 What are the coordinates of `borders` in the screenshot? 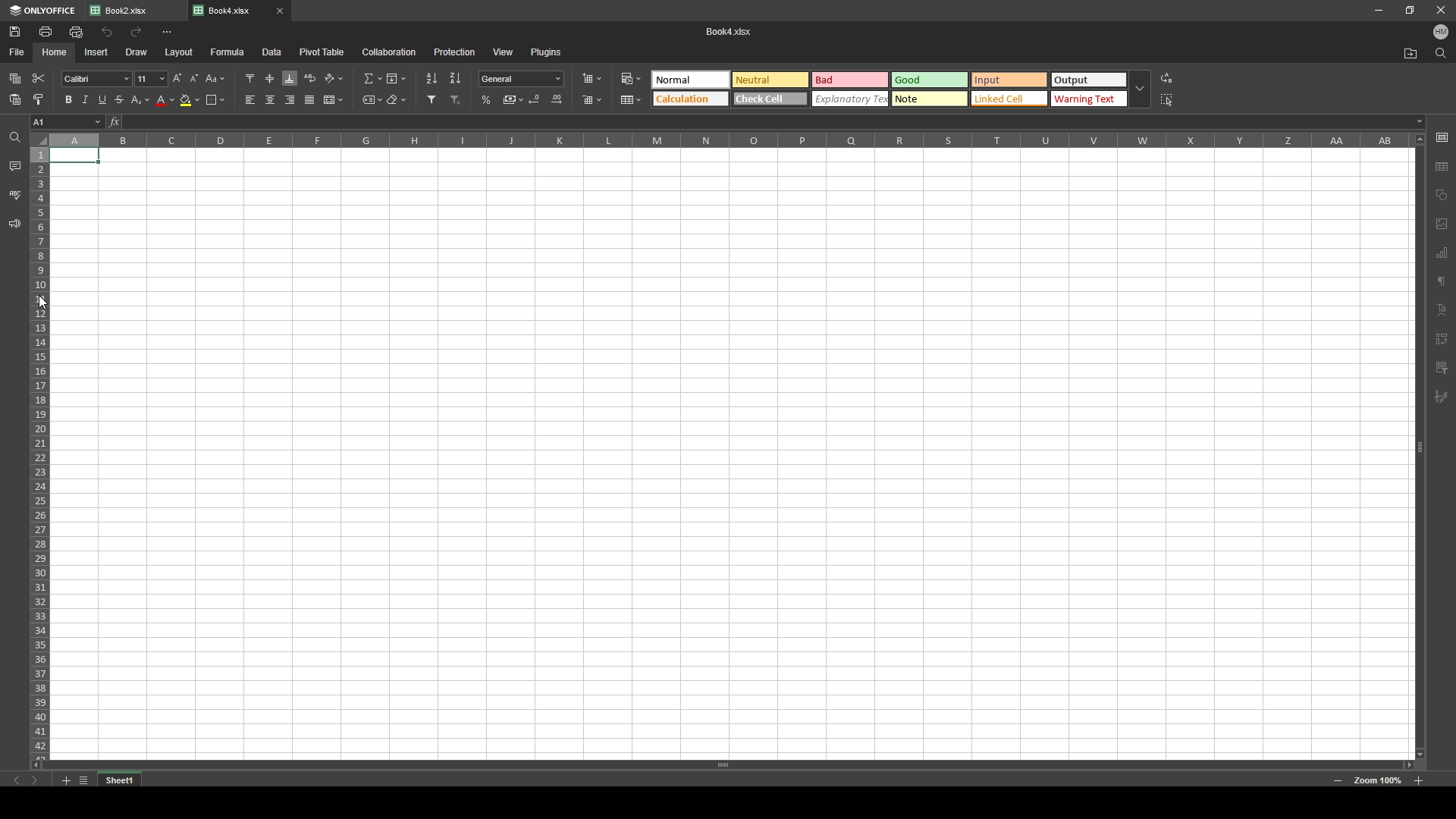 It's located at (215, 100).